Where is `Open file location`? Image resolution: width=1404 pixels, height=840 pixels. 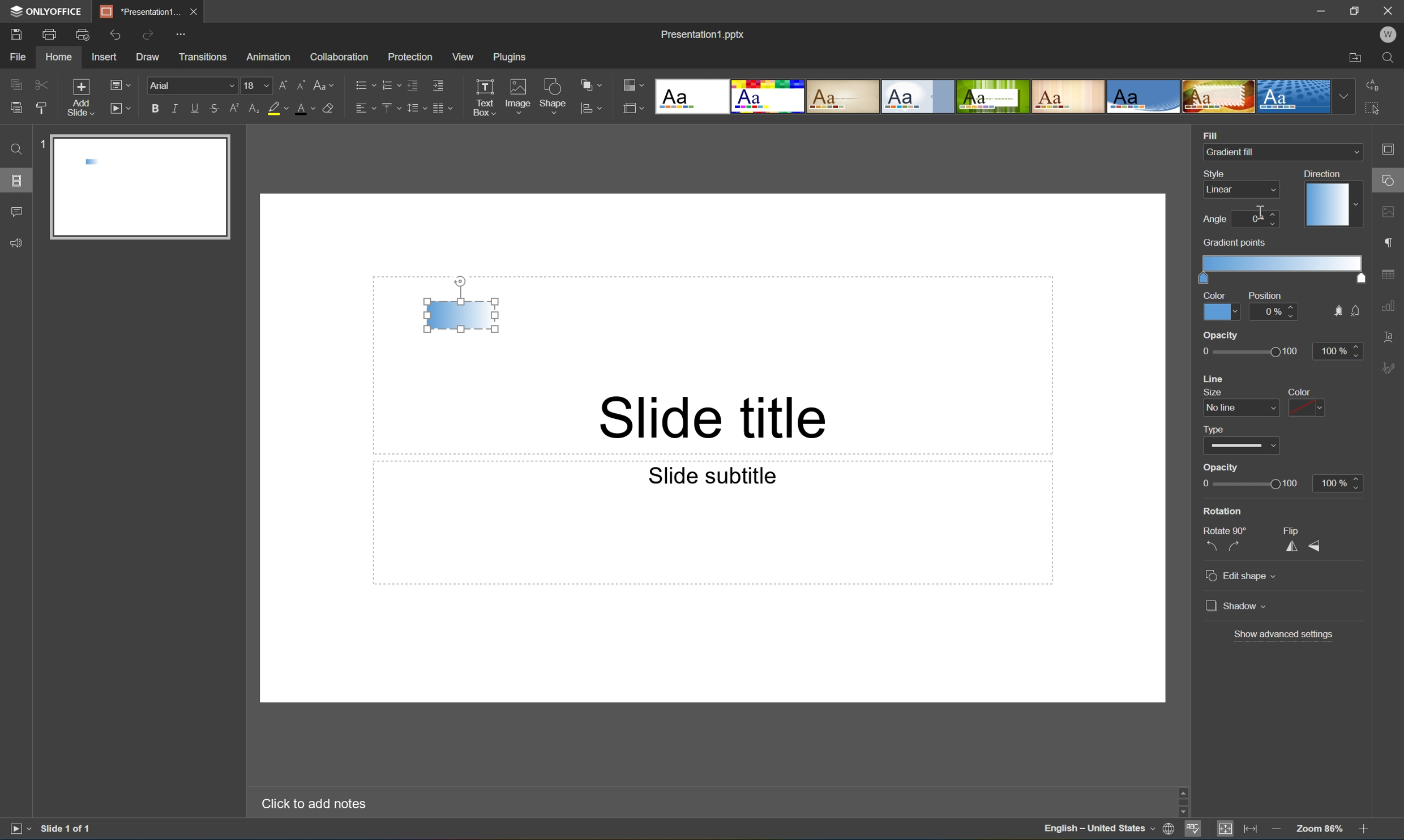
Open file location is located at coordinates (1355, 59).